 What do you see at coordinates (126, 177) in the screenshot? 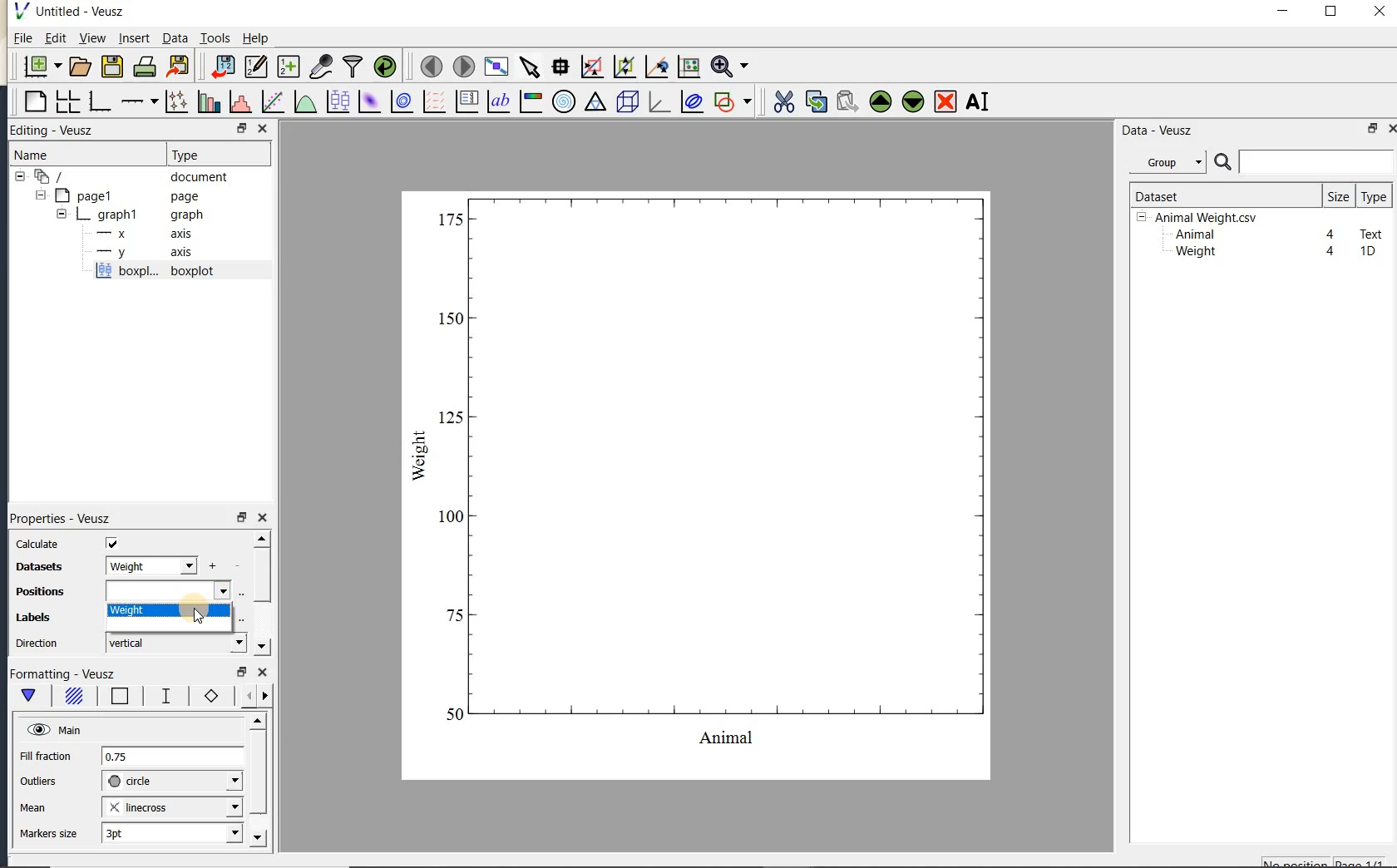
I see `document` at bounding box center [126, 177].